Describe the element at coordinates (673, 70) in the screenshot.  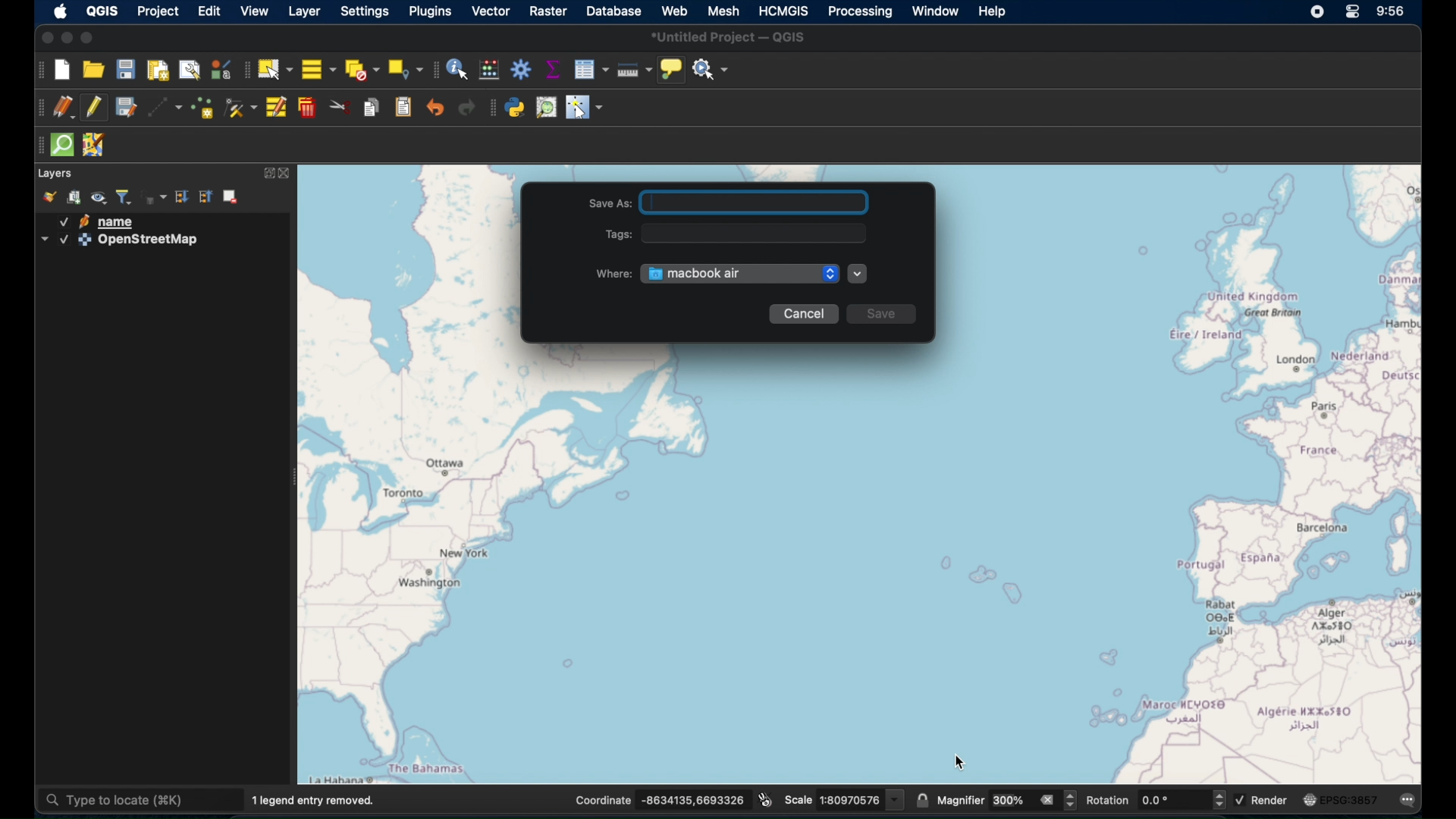
I see `show map tips` at that location.